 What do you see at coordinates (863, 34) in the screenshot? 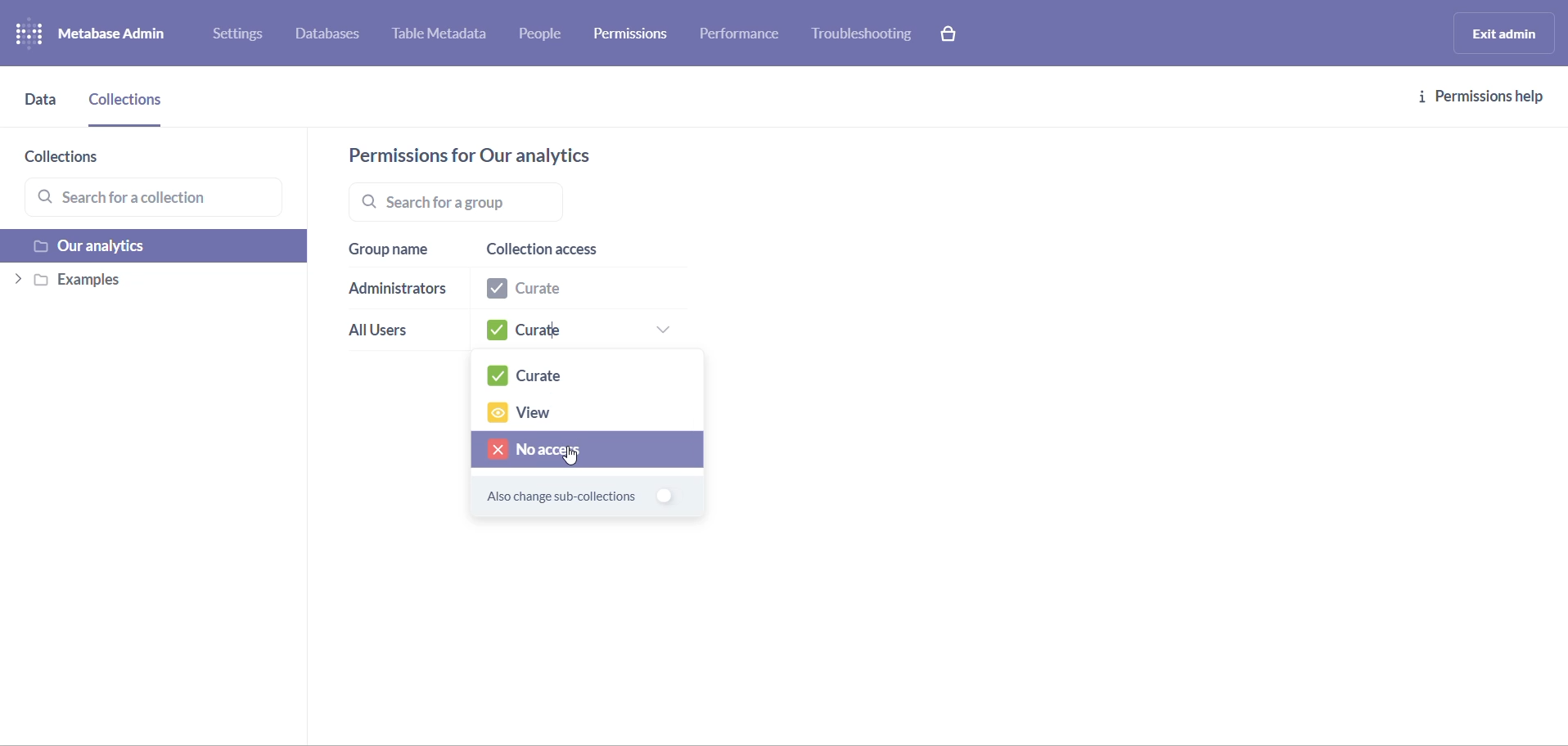
I see `troubleshooting` at bounding box center [863, 34].